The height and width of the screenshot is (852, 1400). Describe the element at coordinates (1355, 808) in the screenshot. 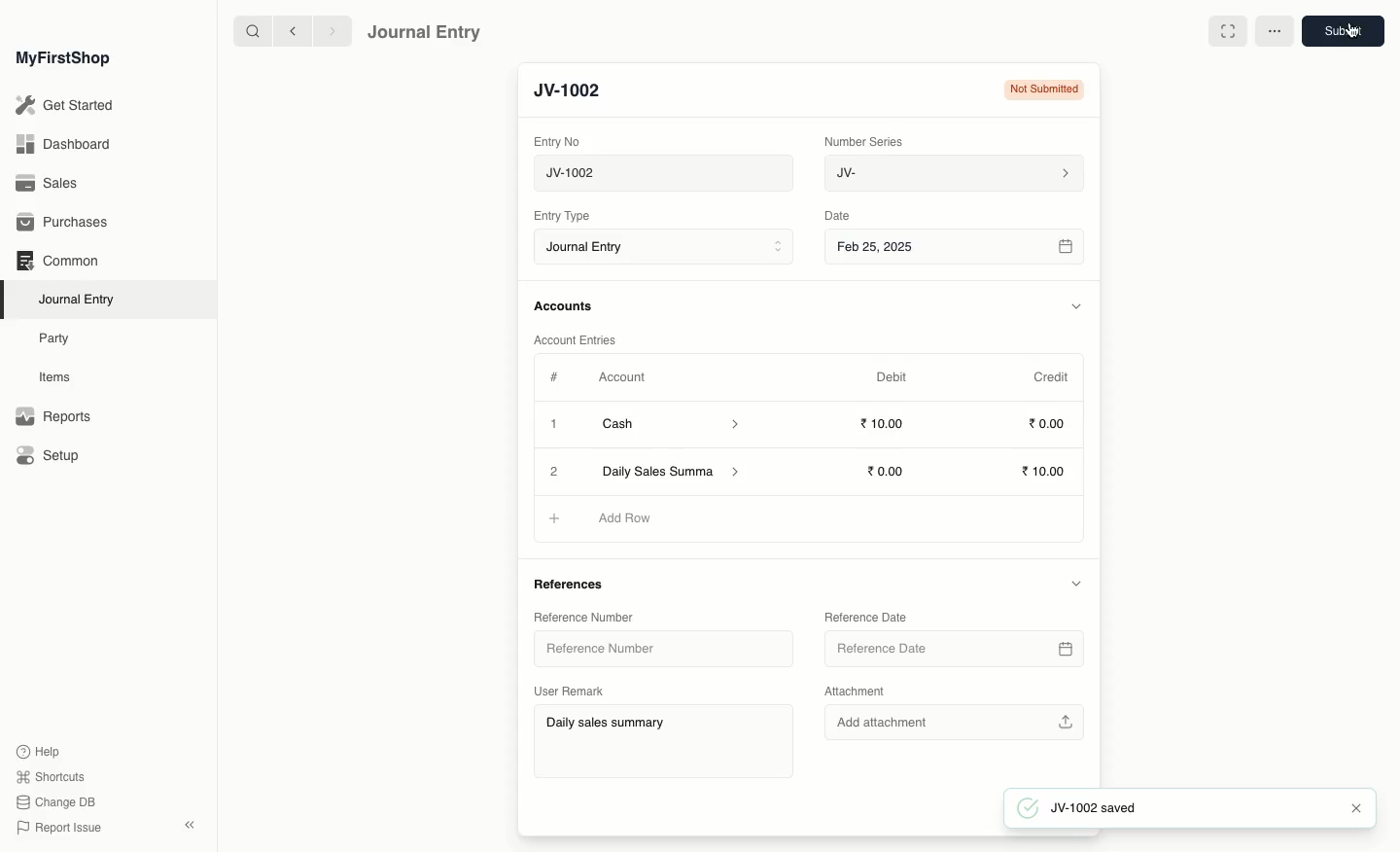

I see `Close` at that location.